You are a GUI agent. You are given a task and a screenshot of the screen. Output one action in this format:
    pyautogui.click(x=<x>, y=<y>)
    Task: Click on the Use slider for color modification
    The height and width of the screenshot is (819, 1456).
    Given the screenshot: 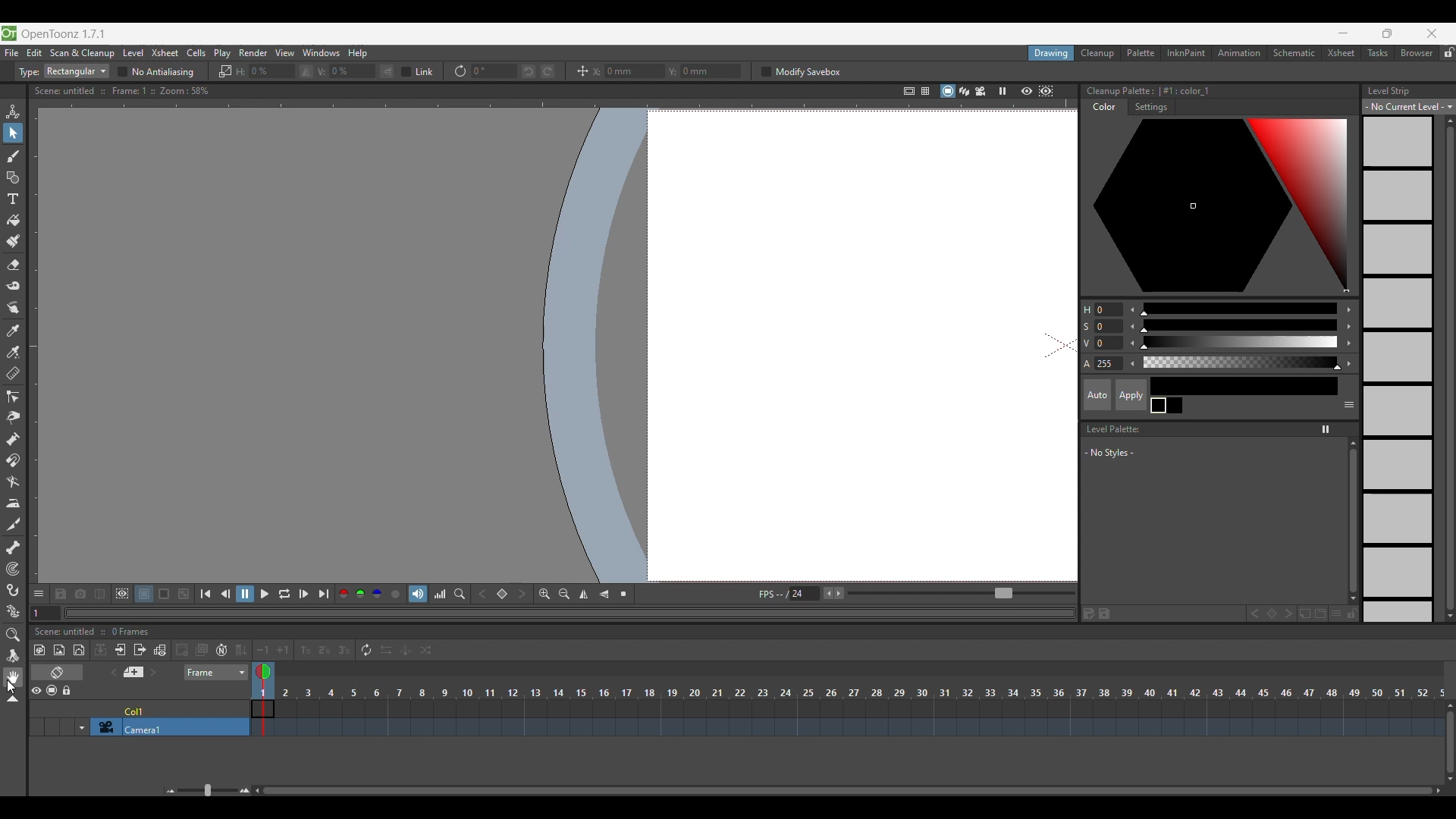 What is the action you would take?
    pyautogui.click(x=1240, y=336)
    